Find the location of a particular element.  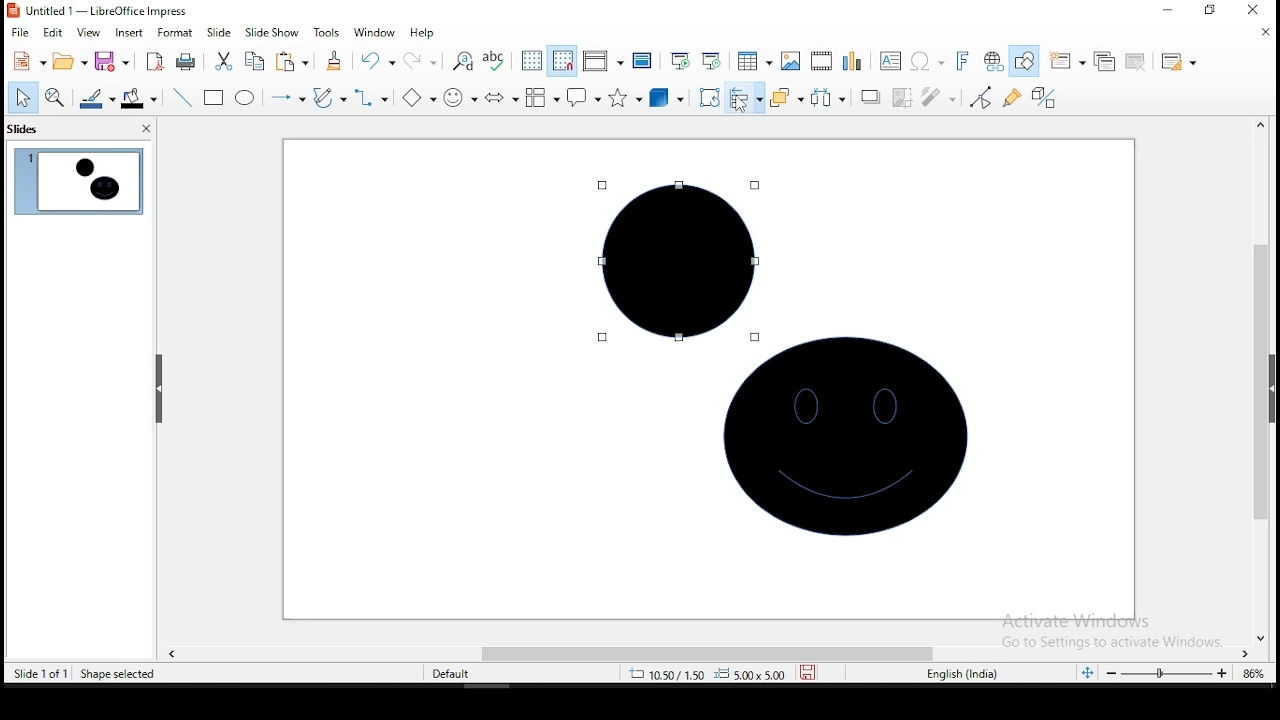

paint bucket tool is located at coordinates (139, 98).